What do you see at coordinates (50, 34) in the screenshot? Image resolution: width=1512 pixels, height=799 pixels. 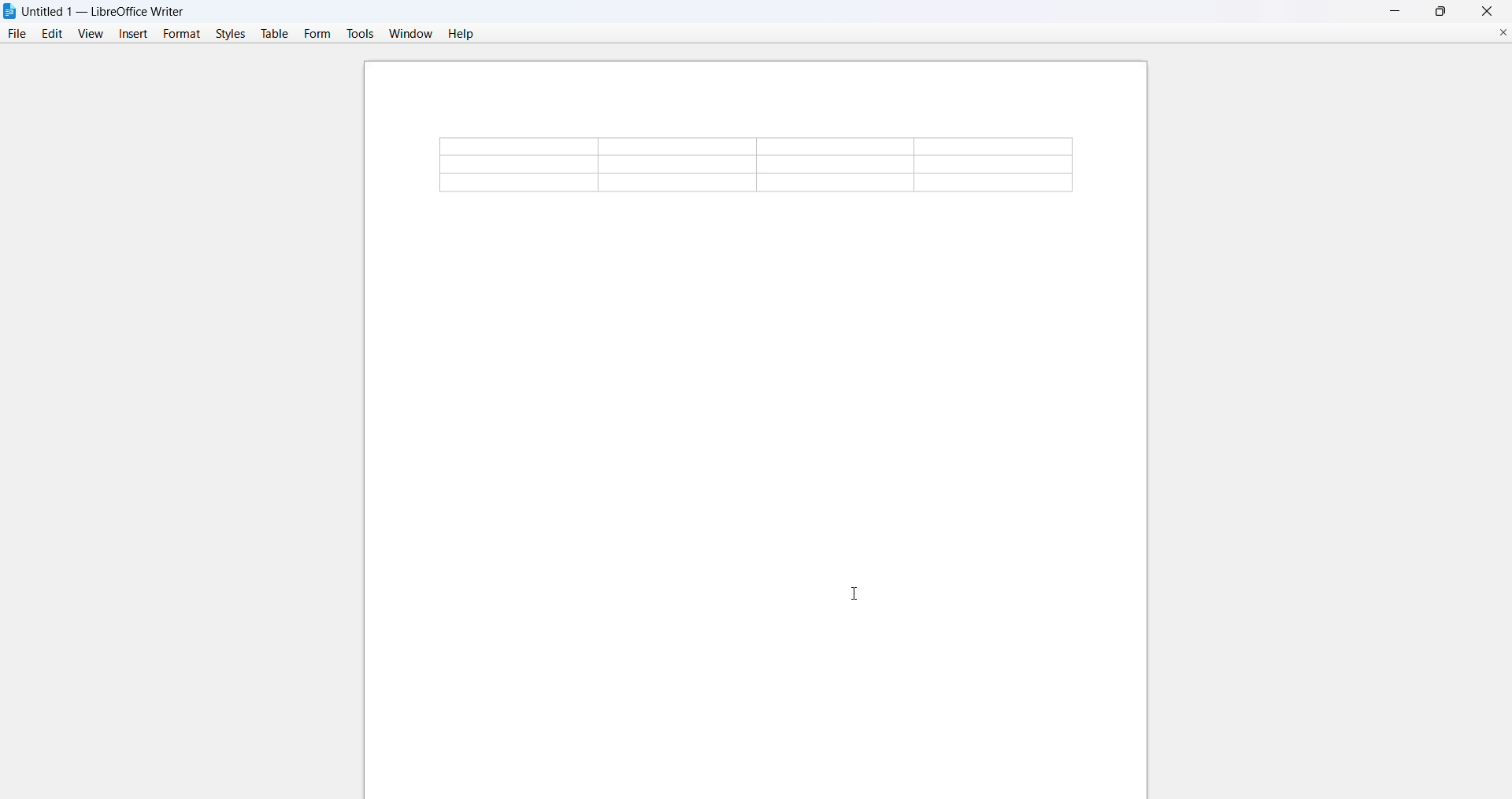 I see `edit` at bounding box center [50, 34].